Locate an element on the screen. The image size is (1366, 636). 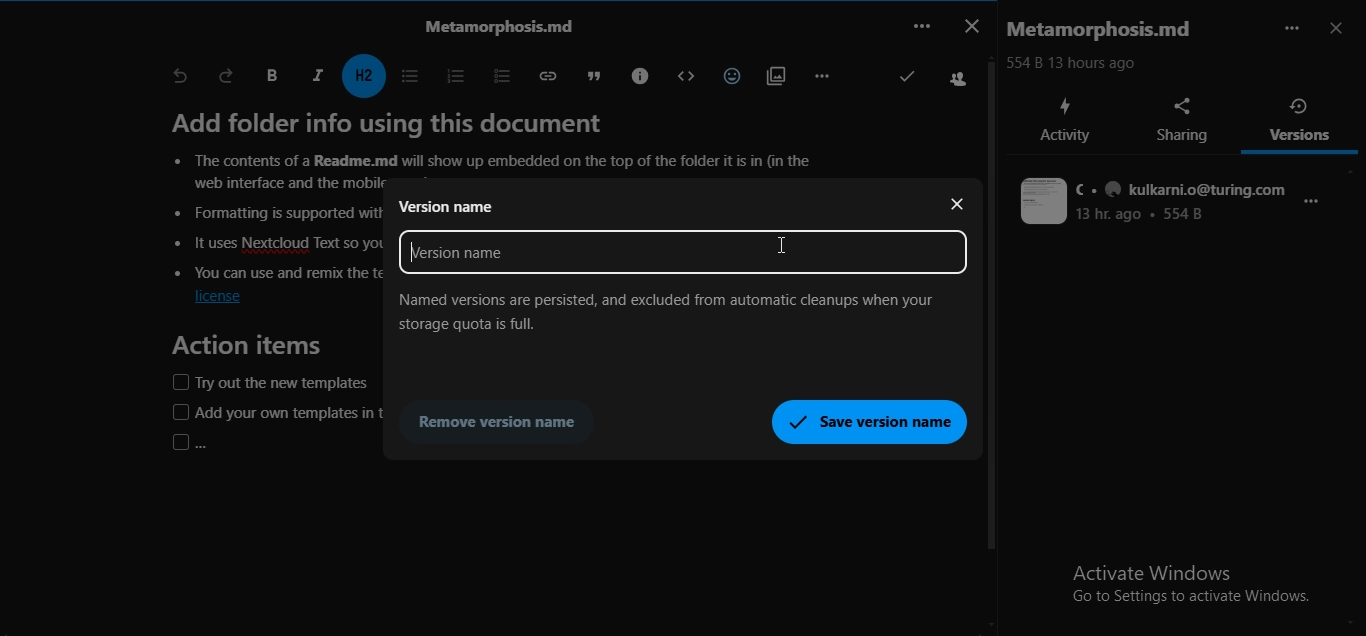
close is located at coordinates (970, 24).